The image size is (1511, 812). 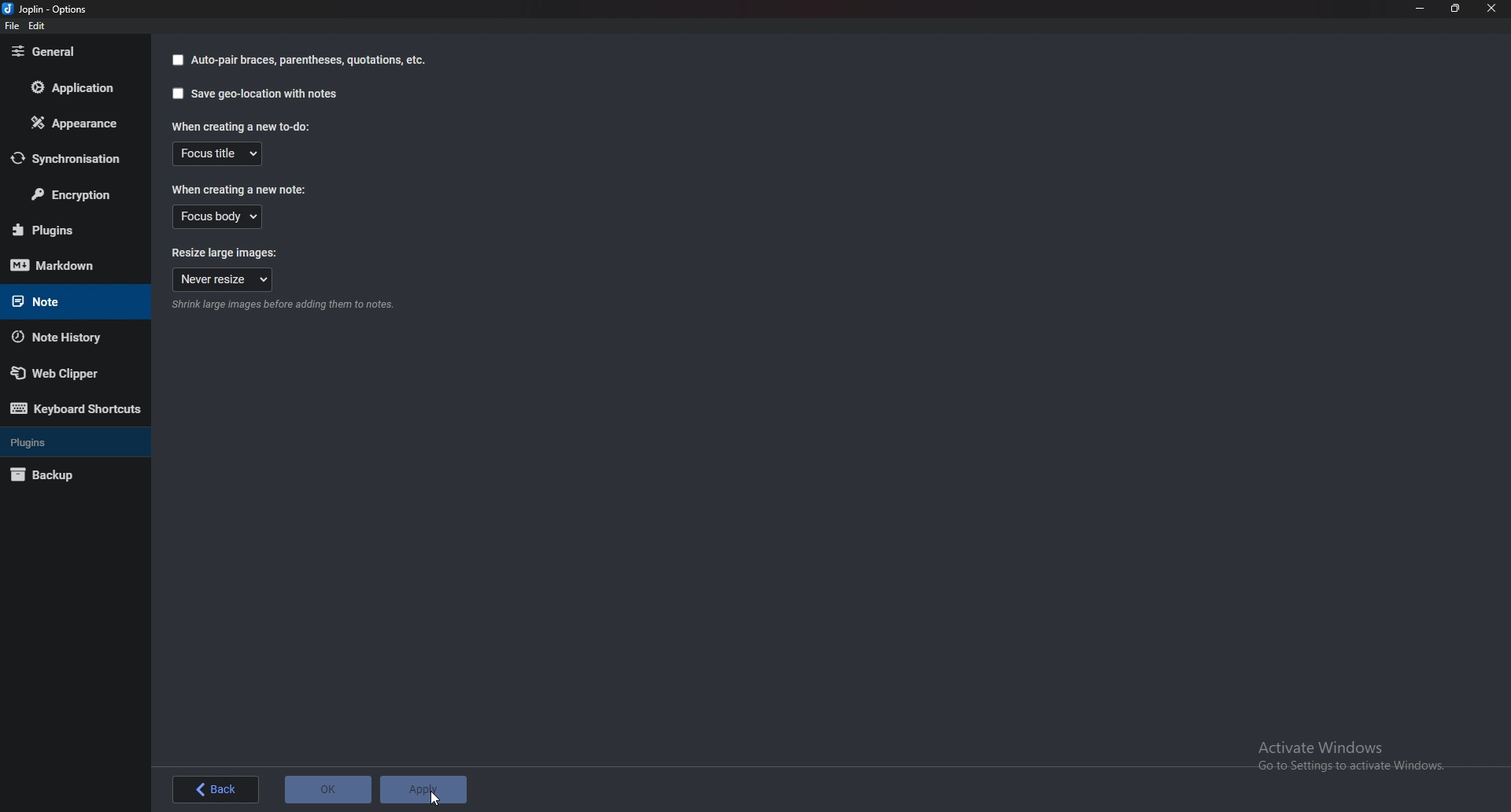 I want to click on Resize large images, so click(x=219, y=253).